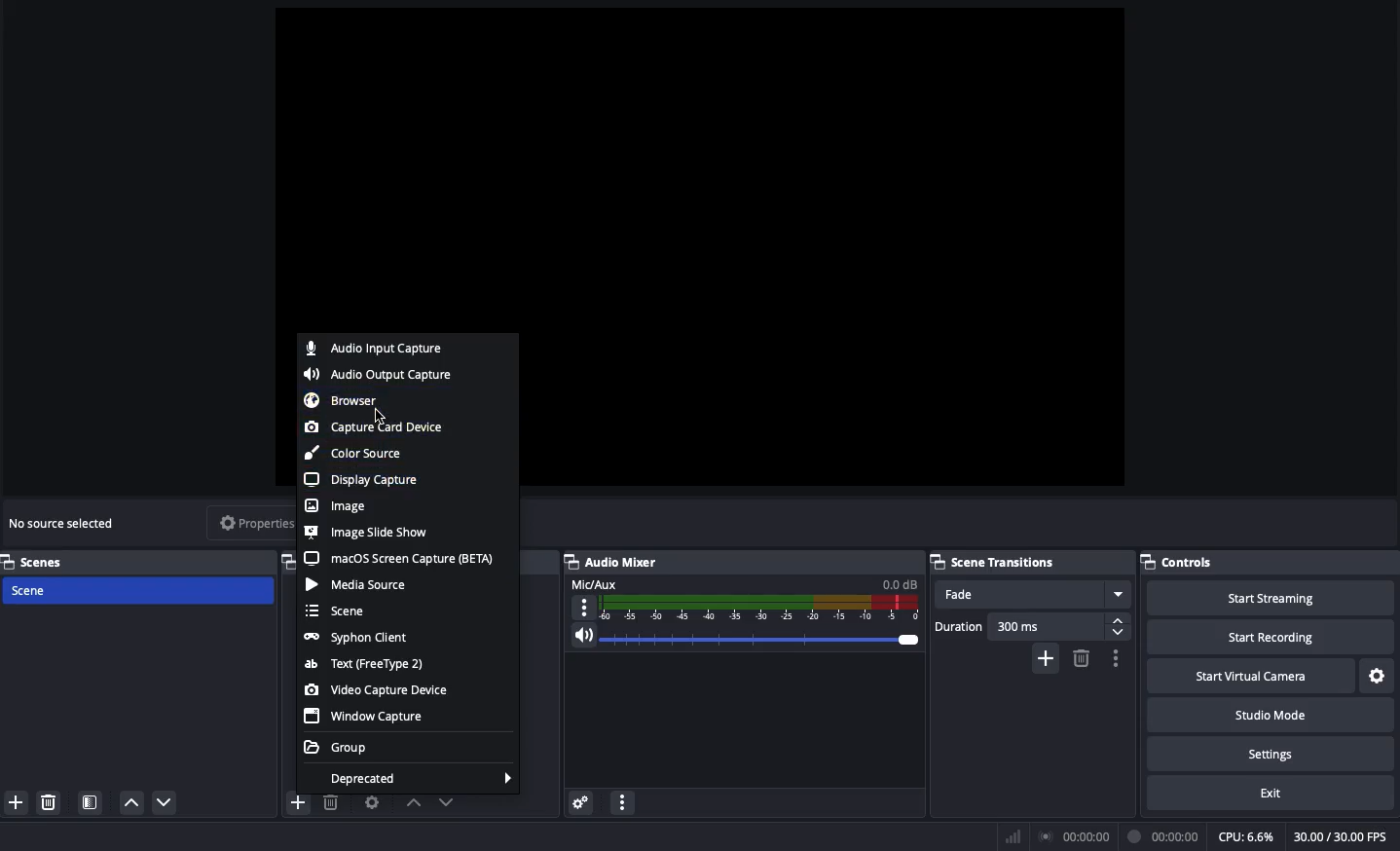 Image resolution: width=1400 pixels, height=851 pixels. Describe the element at coordinates (411, 801) in the screenshot. I see `Move up` at that location.